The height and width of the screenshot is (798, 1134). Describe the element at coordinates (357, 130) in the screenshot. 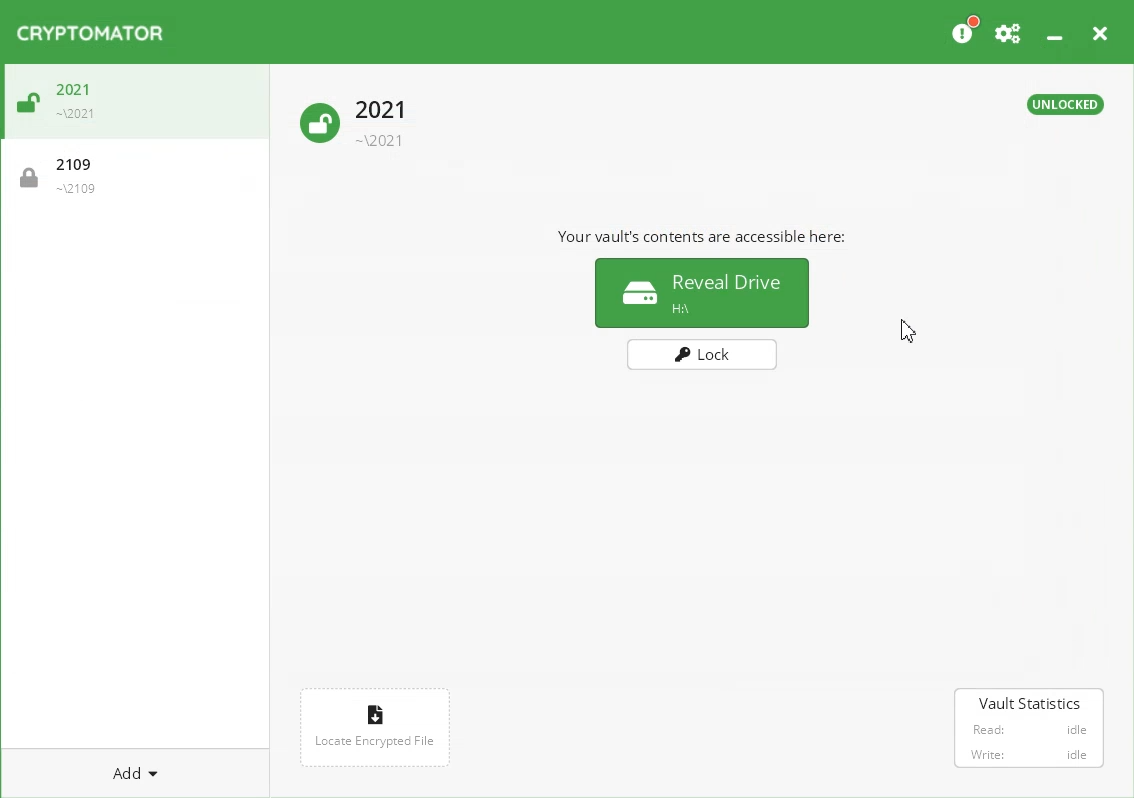

I see `Unlock Vault` at that location.